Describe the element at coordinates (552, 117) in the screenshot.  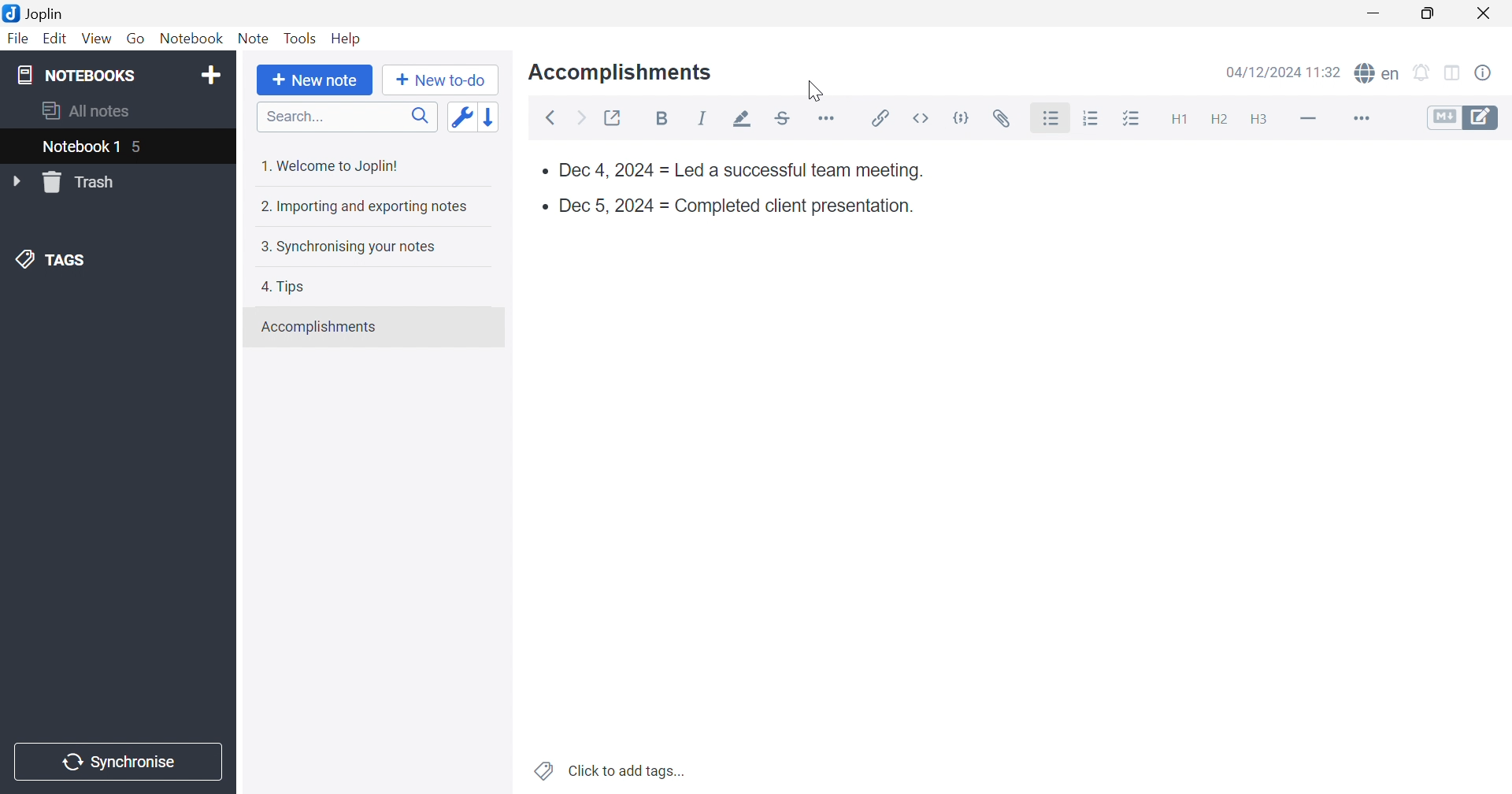
I see `Back` at that location.